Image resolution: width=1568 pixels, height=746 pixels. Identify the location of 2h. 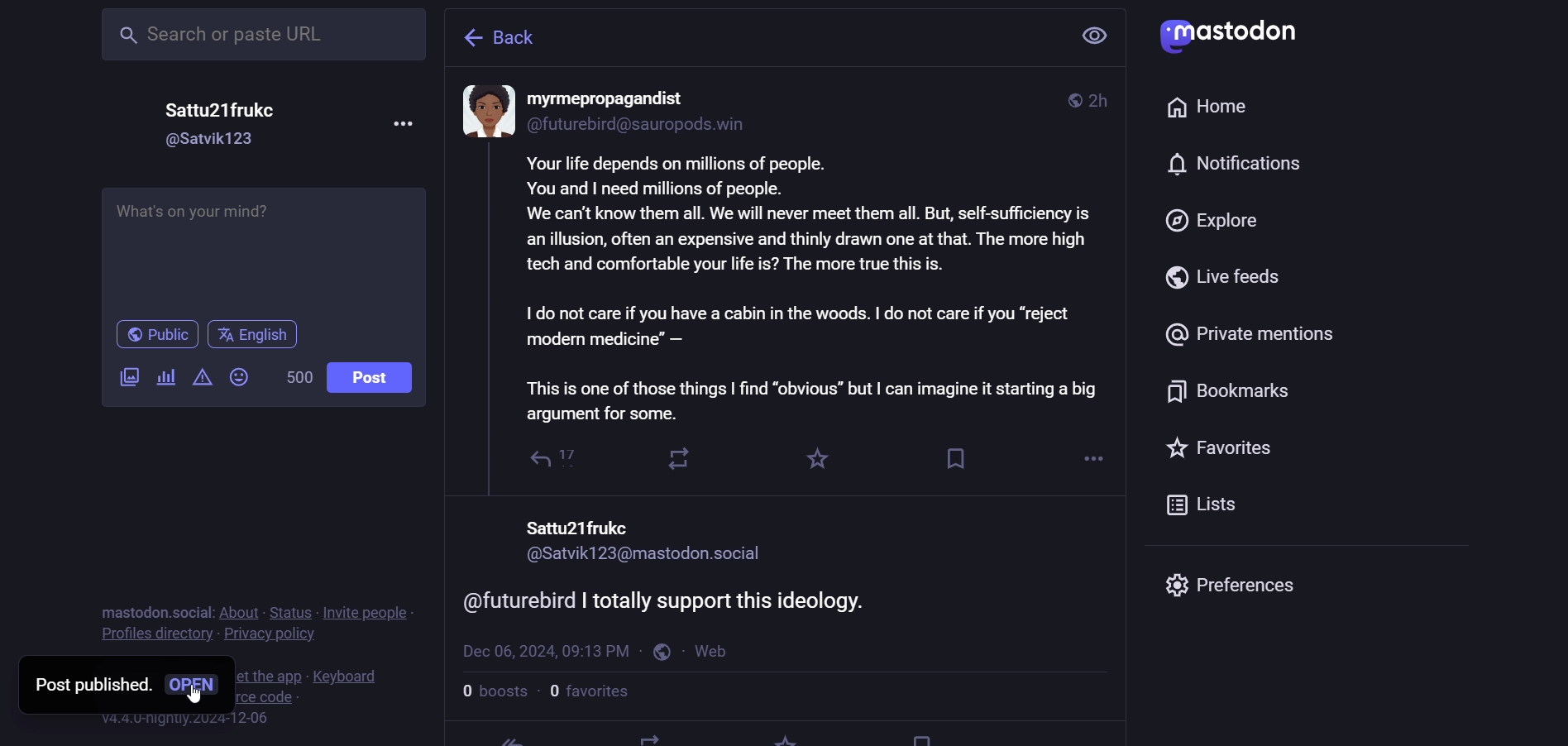
(1089, 103).